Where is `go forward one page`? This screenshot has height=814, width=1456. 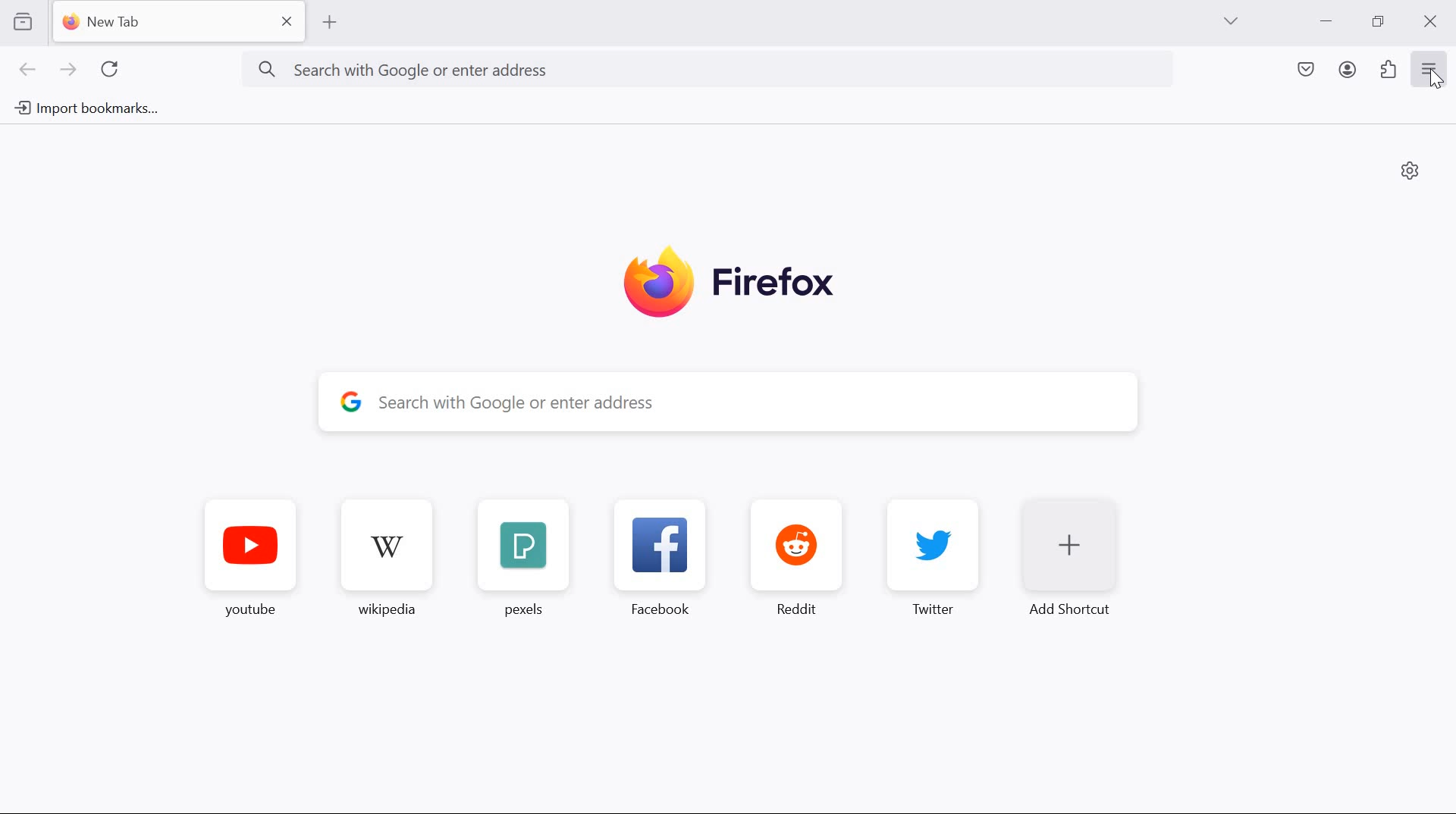 go forward one page is located at coordinates (71, 70).